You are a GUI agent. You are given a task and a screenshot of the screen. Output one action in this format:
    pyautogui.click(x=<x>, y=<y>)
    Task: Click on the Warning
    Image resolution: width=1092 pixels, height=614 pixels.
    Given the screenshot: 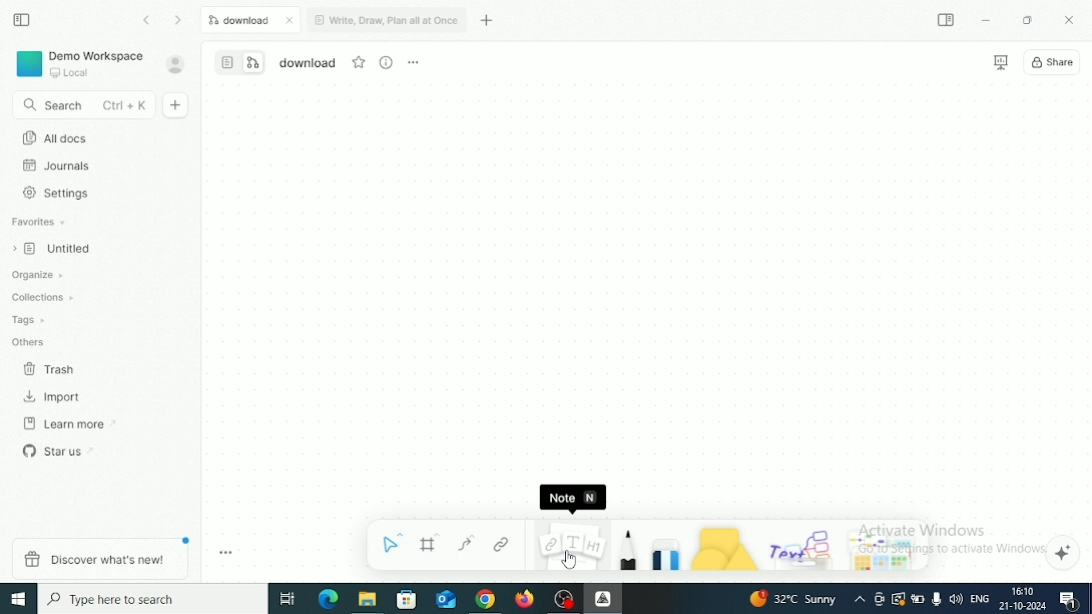 What is the action you would take?
    pyautogui.click(x=898, y=599)
    